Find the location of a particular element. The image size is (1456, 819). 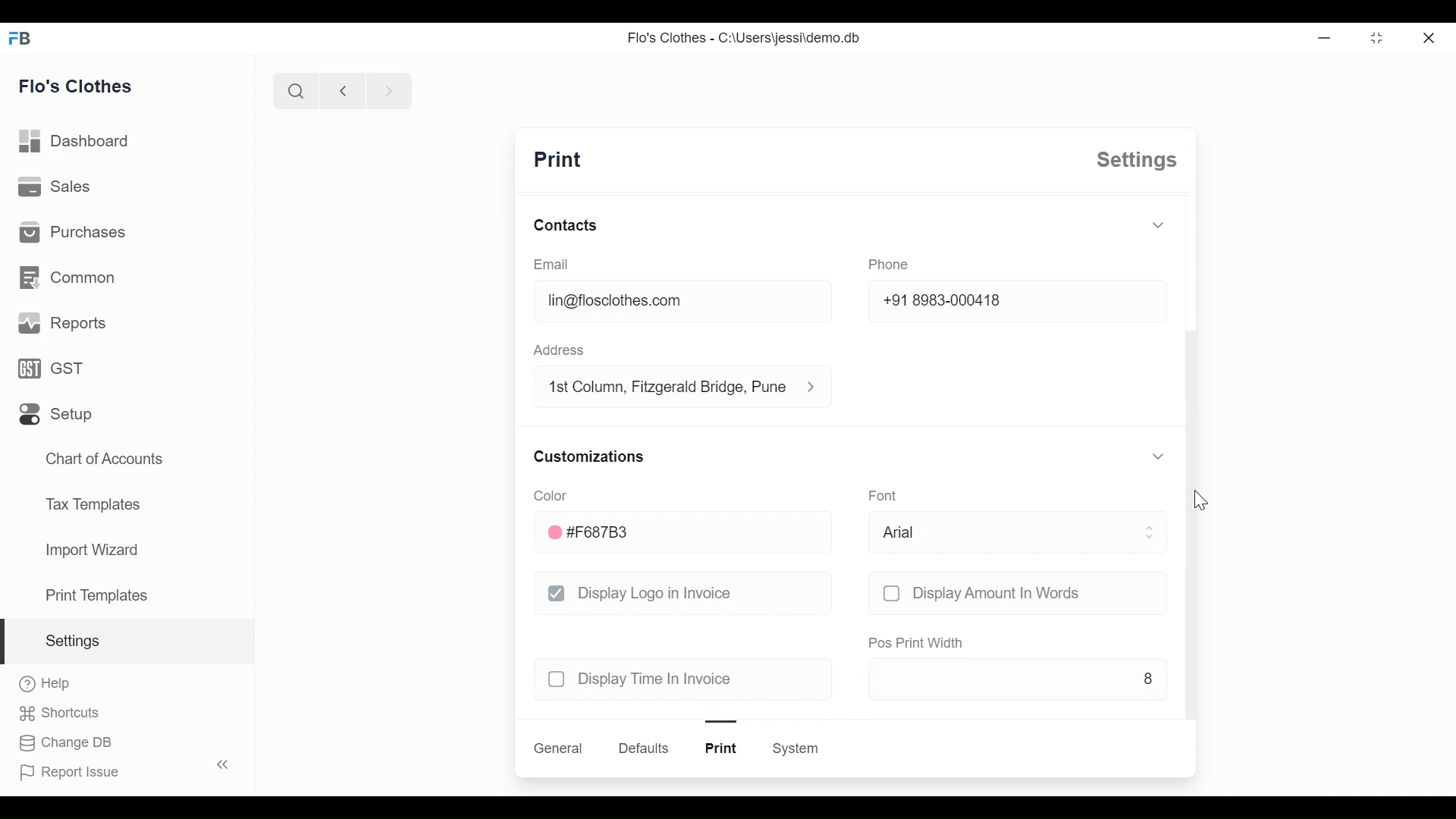

import wizard is located at coordinates (91, 550).